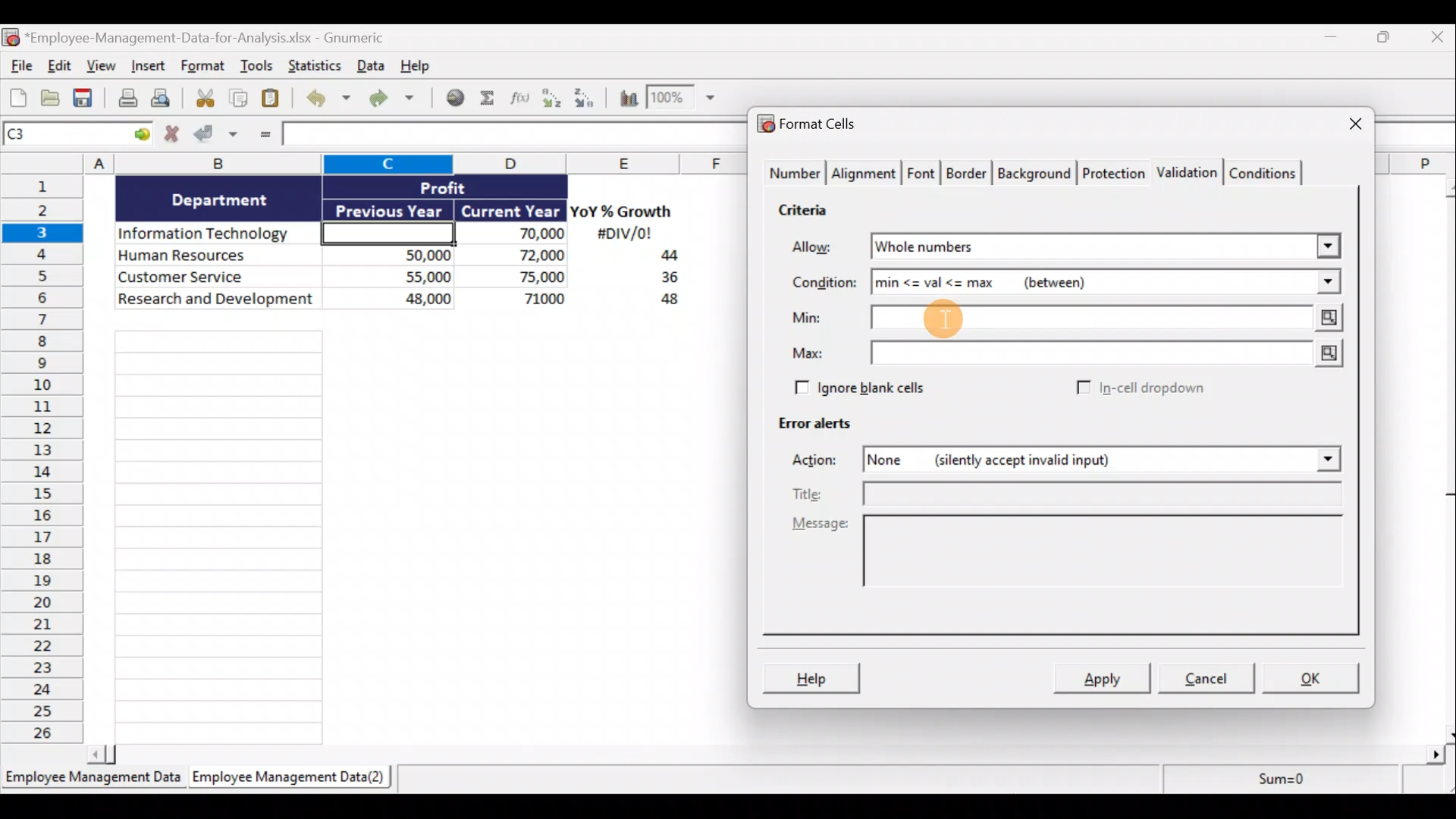 The height and width of the screenshot is (819, 1456). I want to click on *Employee-Management-Data-for-Analysis.xlsx - Gnumeric, so click(222, 36).